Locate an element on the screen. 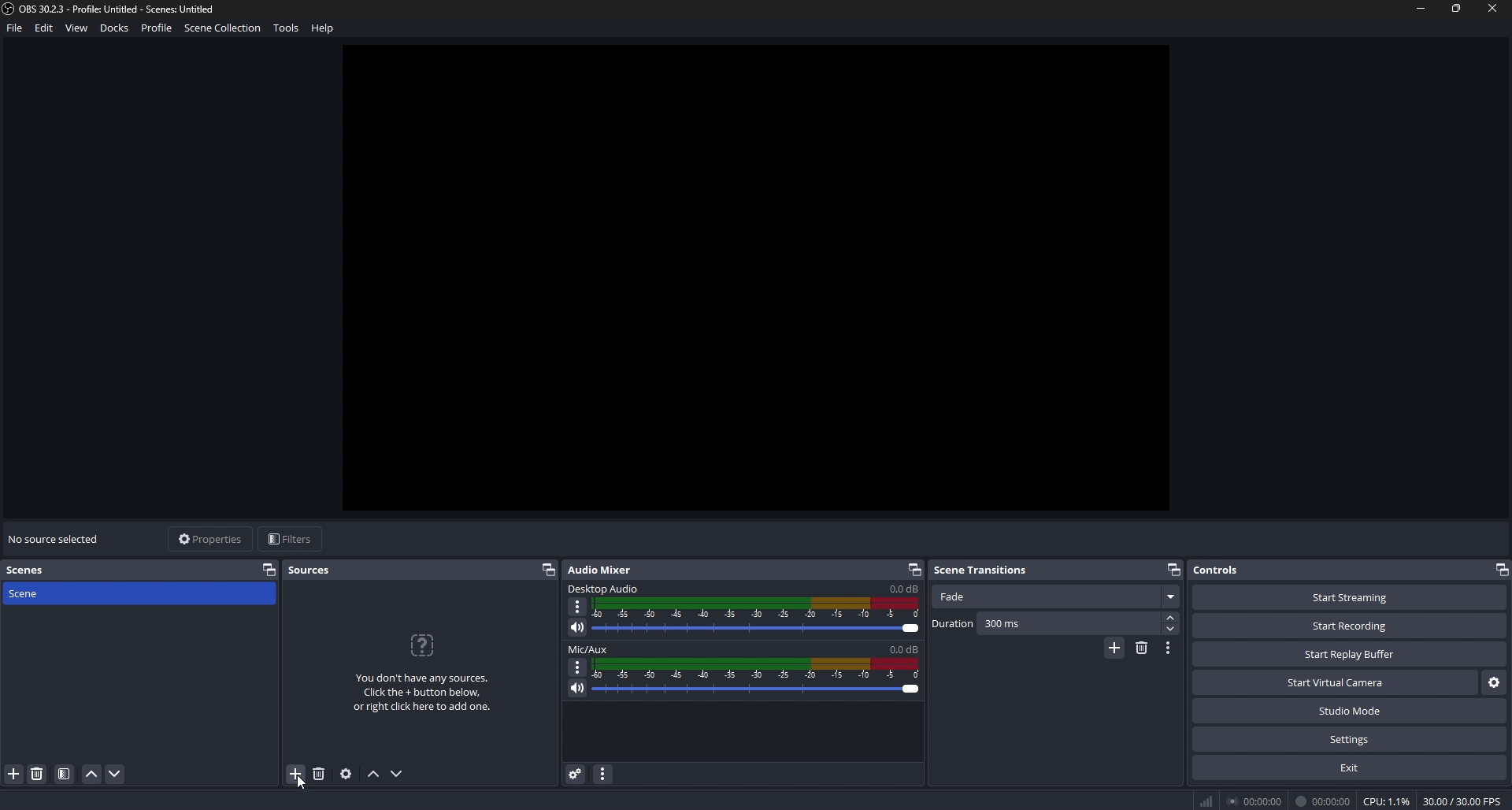  minimize is located at coordinates (1421, 9).